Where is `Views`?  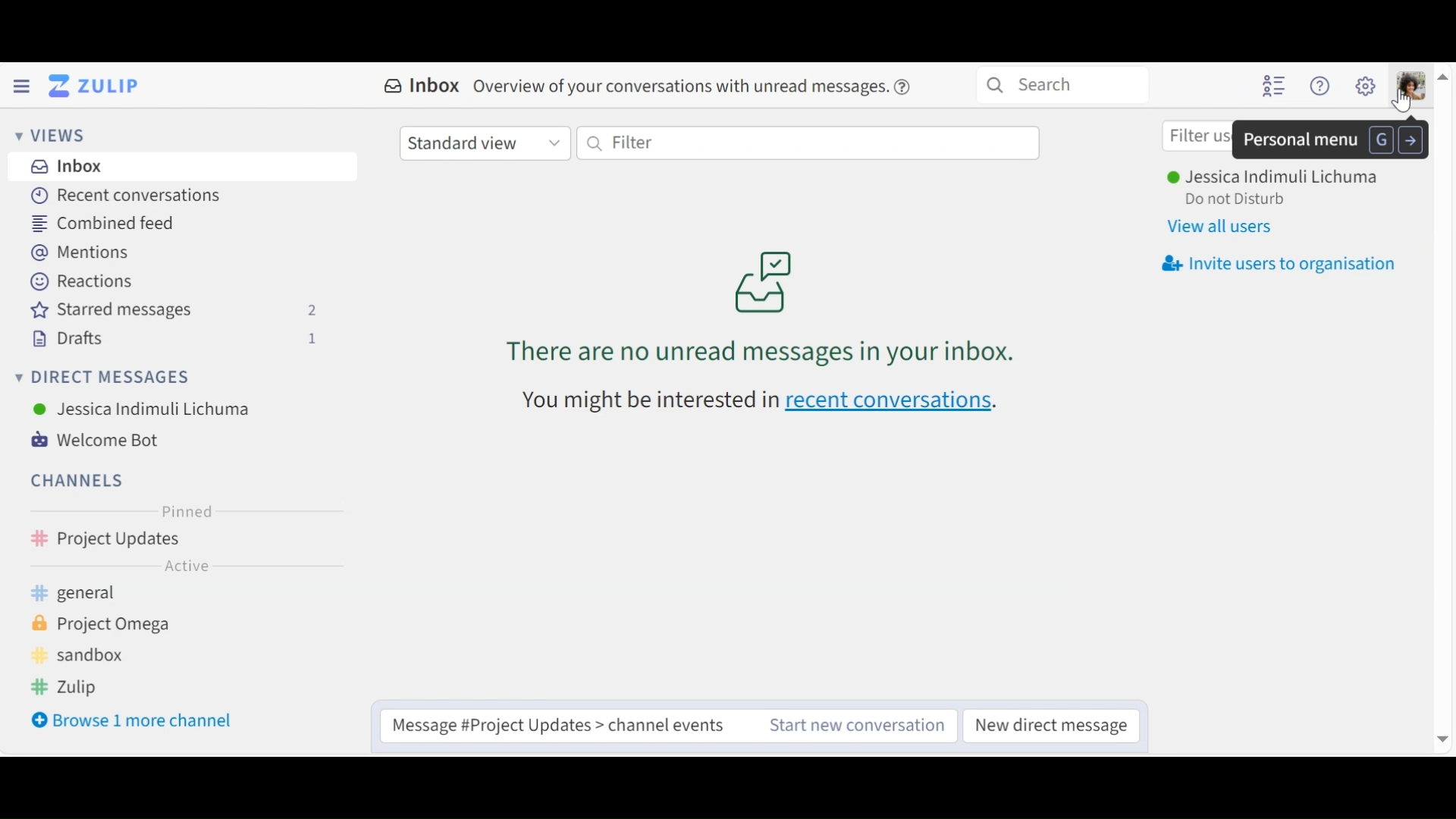 Views is located at coordinates (49, 134).